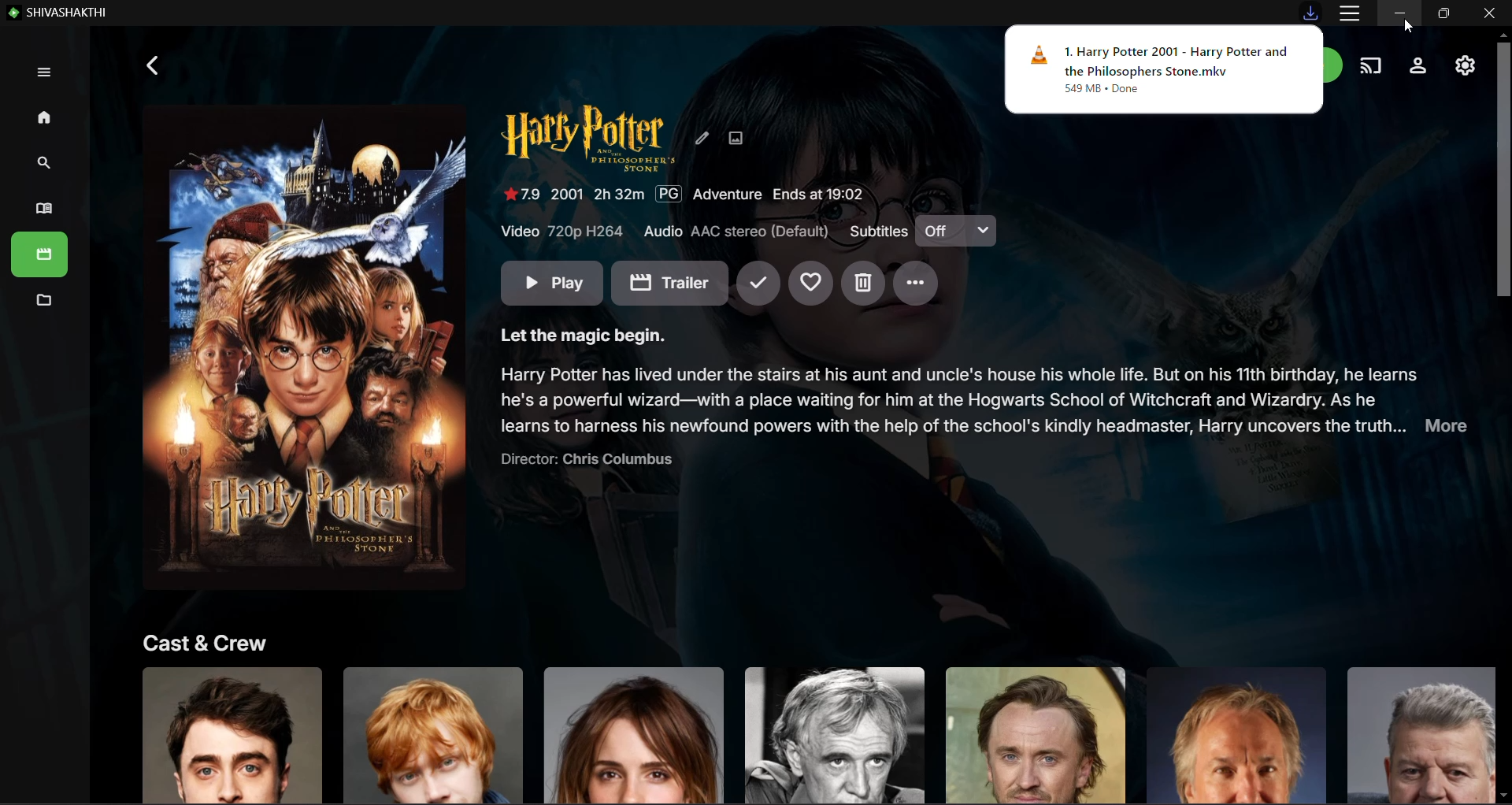  Describe the element at coordinates (206, 642) in the screenshot. I see `Cast and Crew` at that location.